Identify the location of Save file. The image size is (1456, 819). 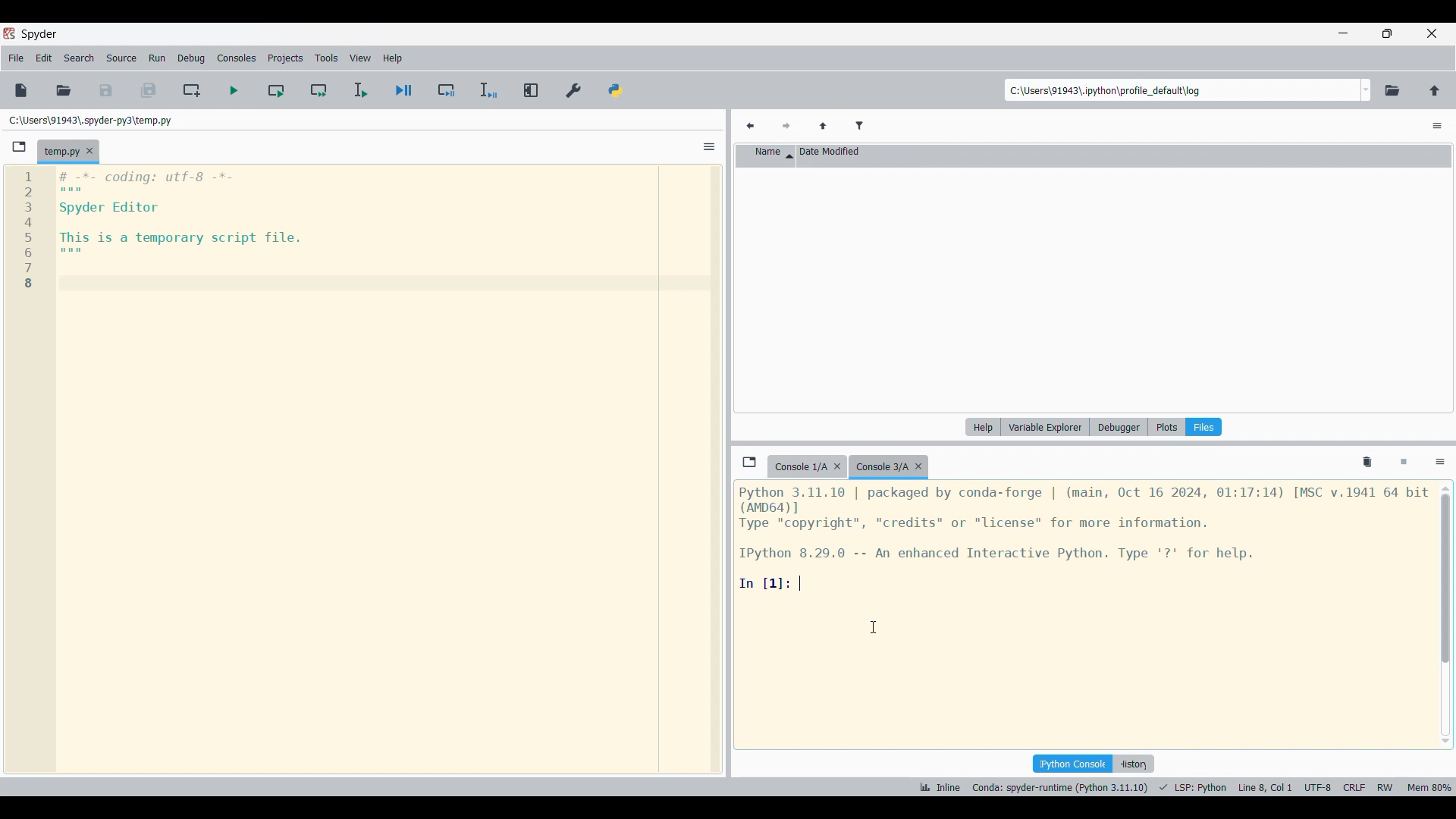
(106, 91).